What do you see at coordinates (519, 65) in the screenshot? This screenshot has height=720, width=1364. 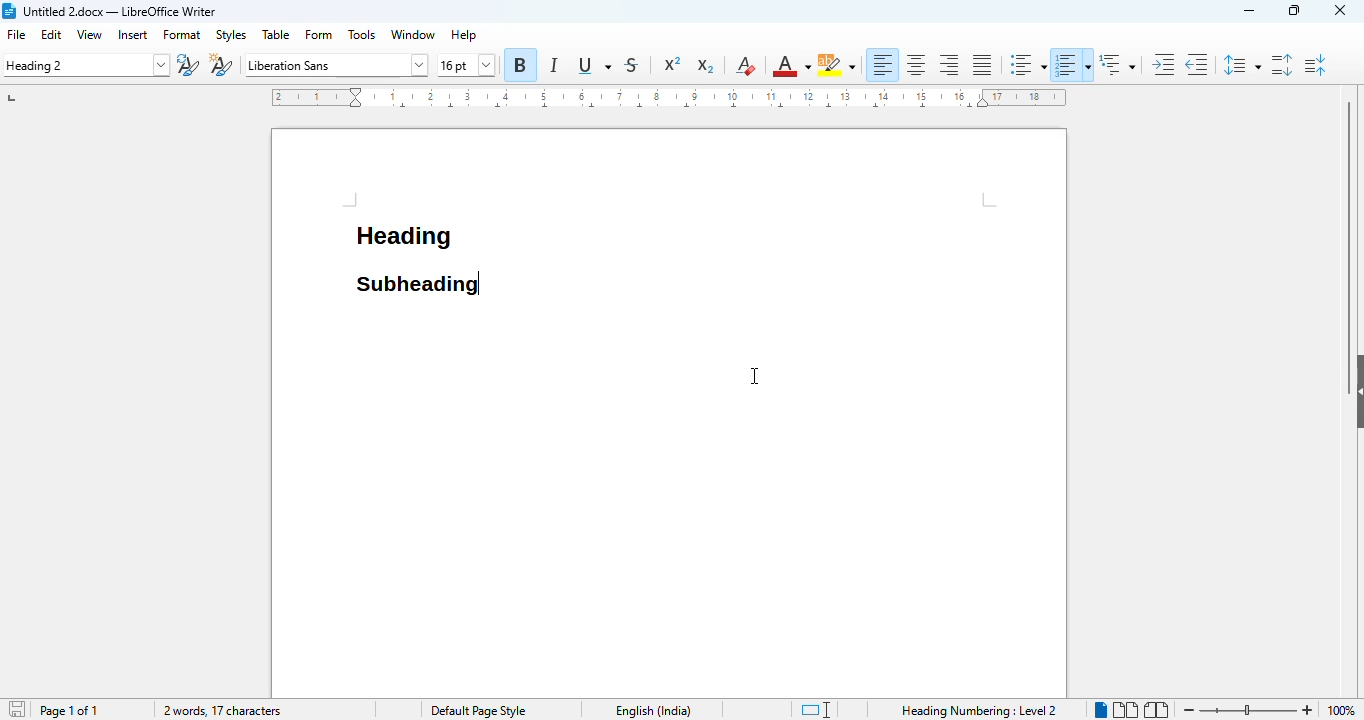 I see `bold` at bounding box center [519, 65].